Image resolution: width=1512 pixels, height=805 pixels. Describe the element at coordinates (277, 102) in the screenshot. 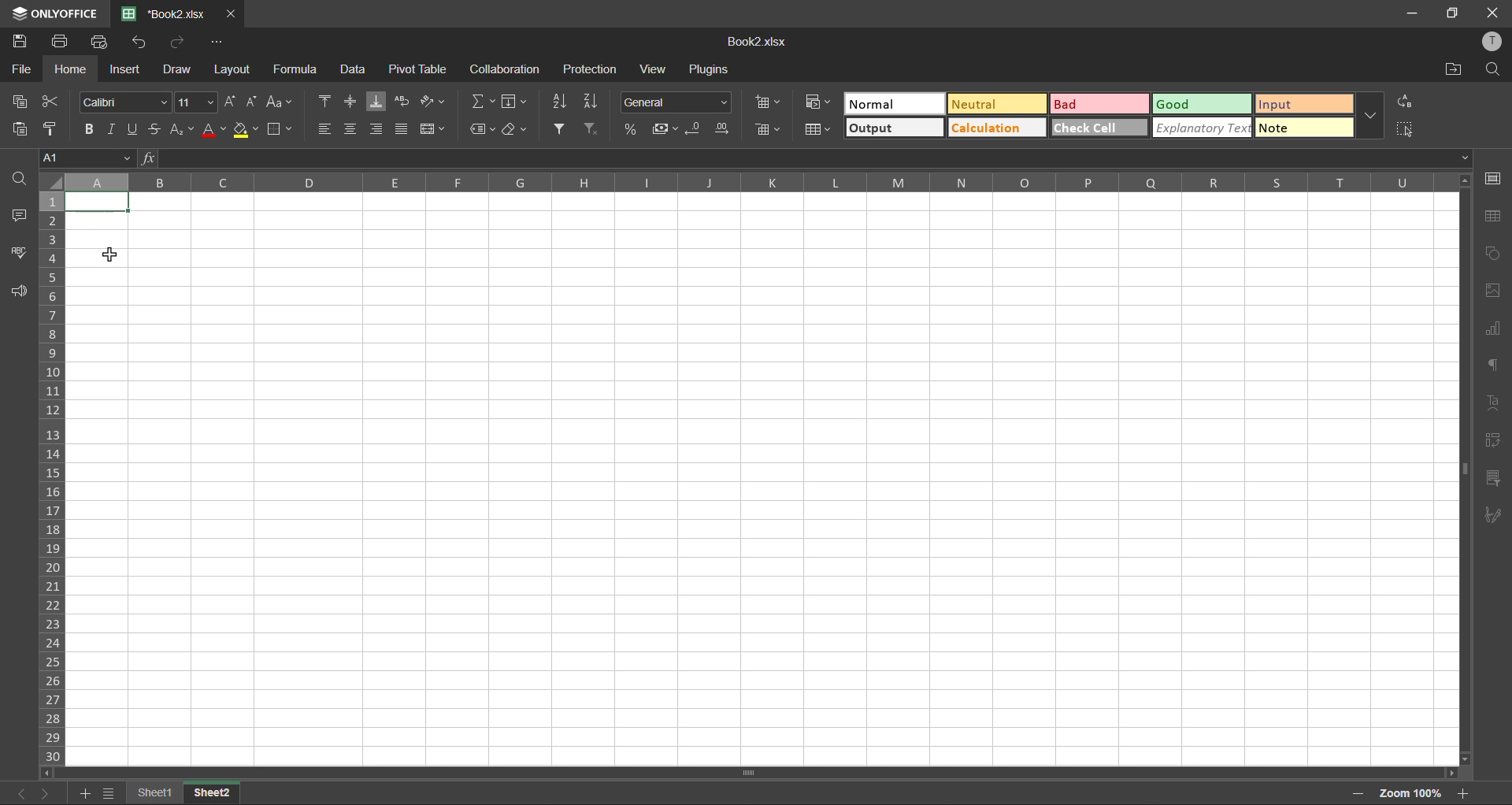

I see `change case` at that location.